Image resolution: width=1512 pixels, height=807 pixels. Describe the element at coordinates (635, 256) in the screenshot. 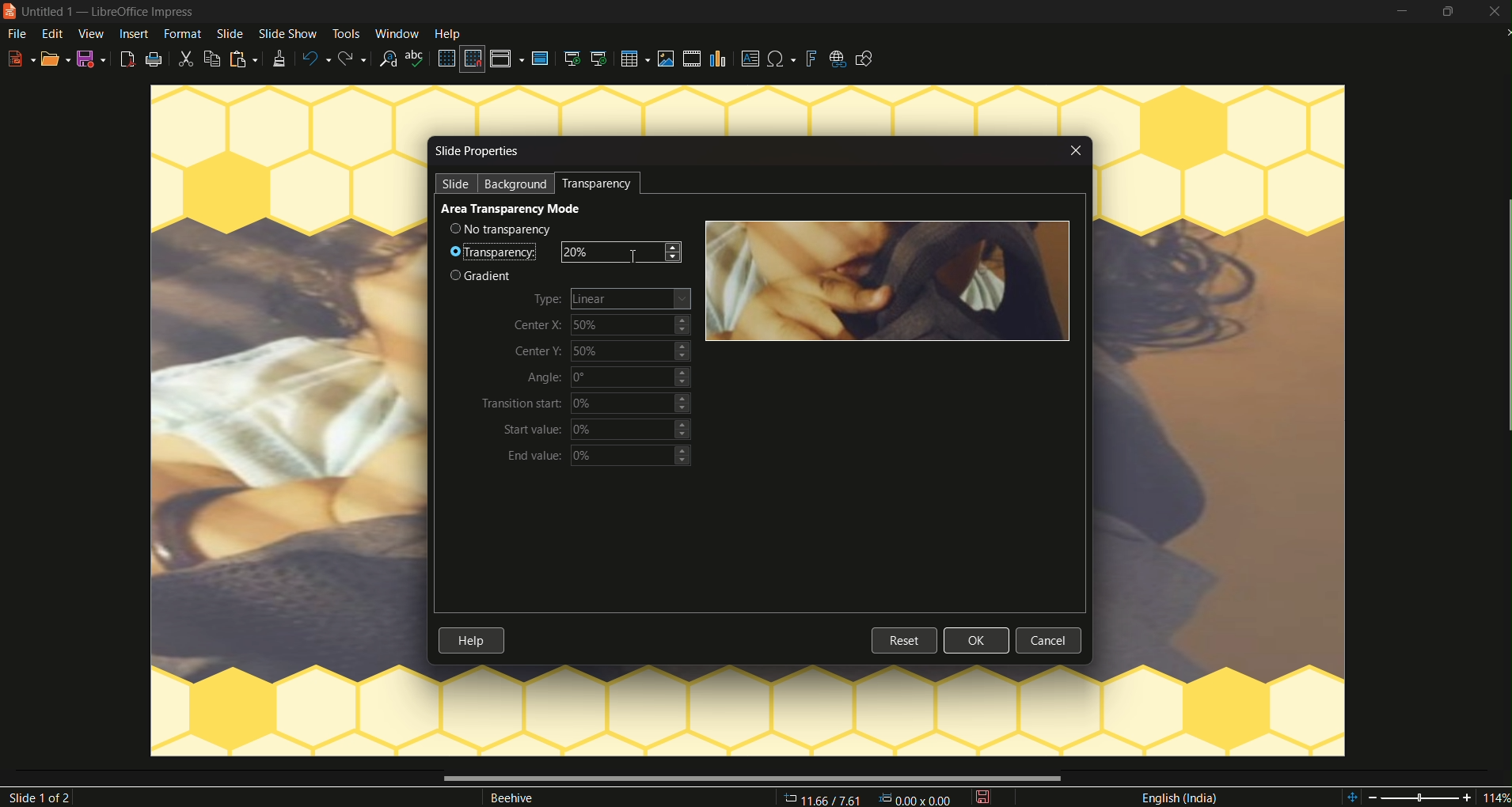

I see `cursor` at that location.